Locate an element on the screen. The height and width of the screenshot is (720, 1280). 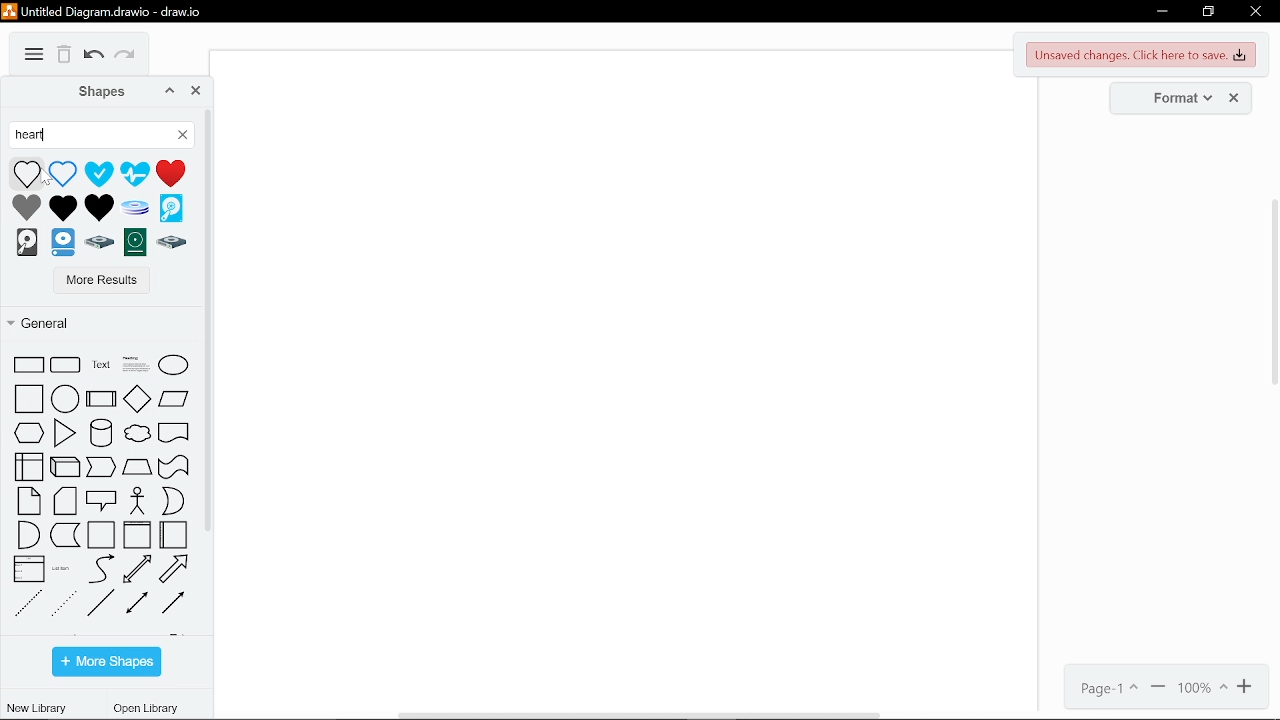
rectangle is located at coordinates (28, 363).